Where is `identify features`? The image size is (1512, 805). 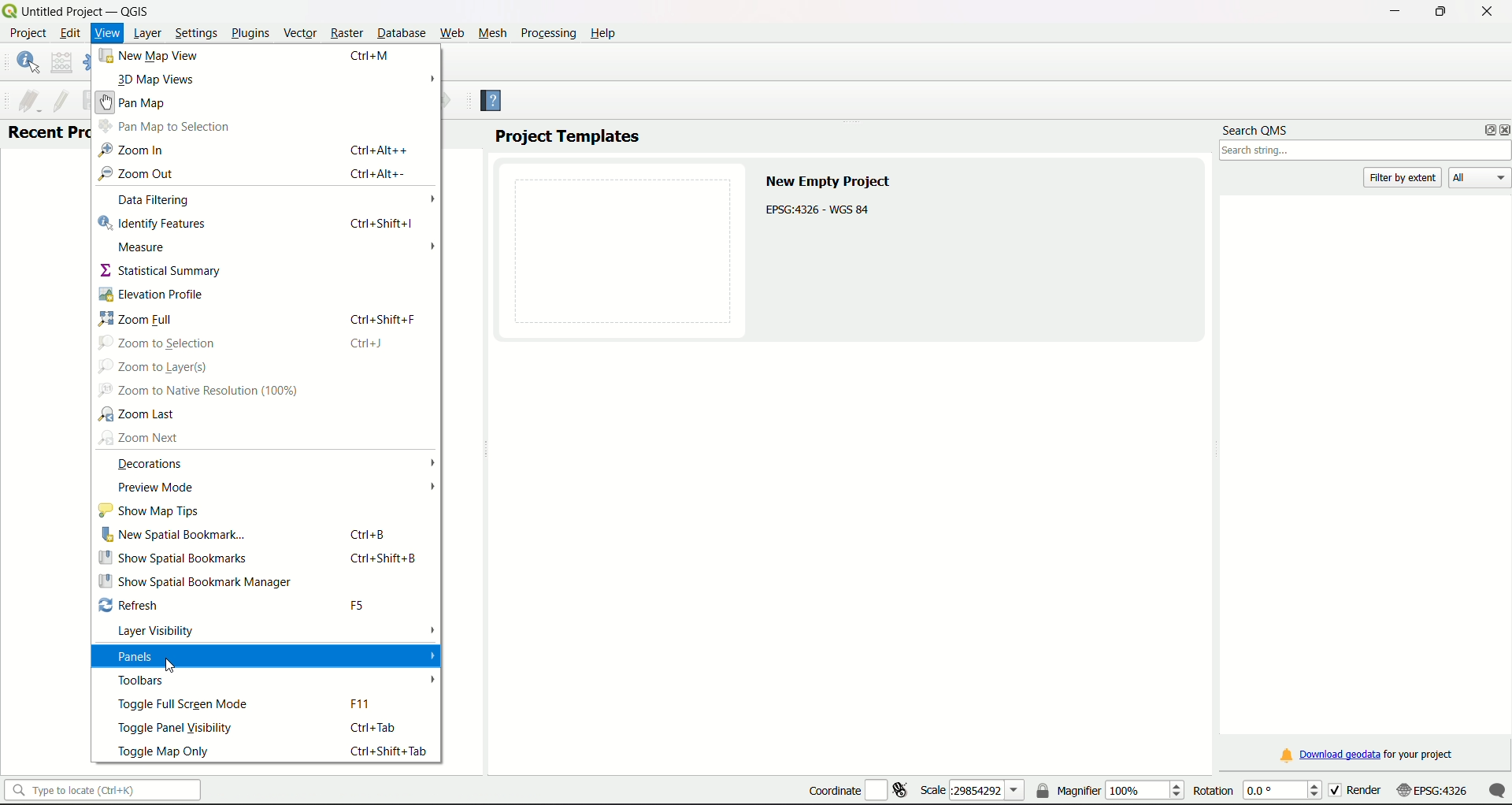 identify features is located at coordinates (27, 61).